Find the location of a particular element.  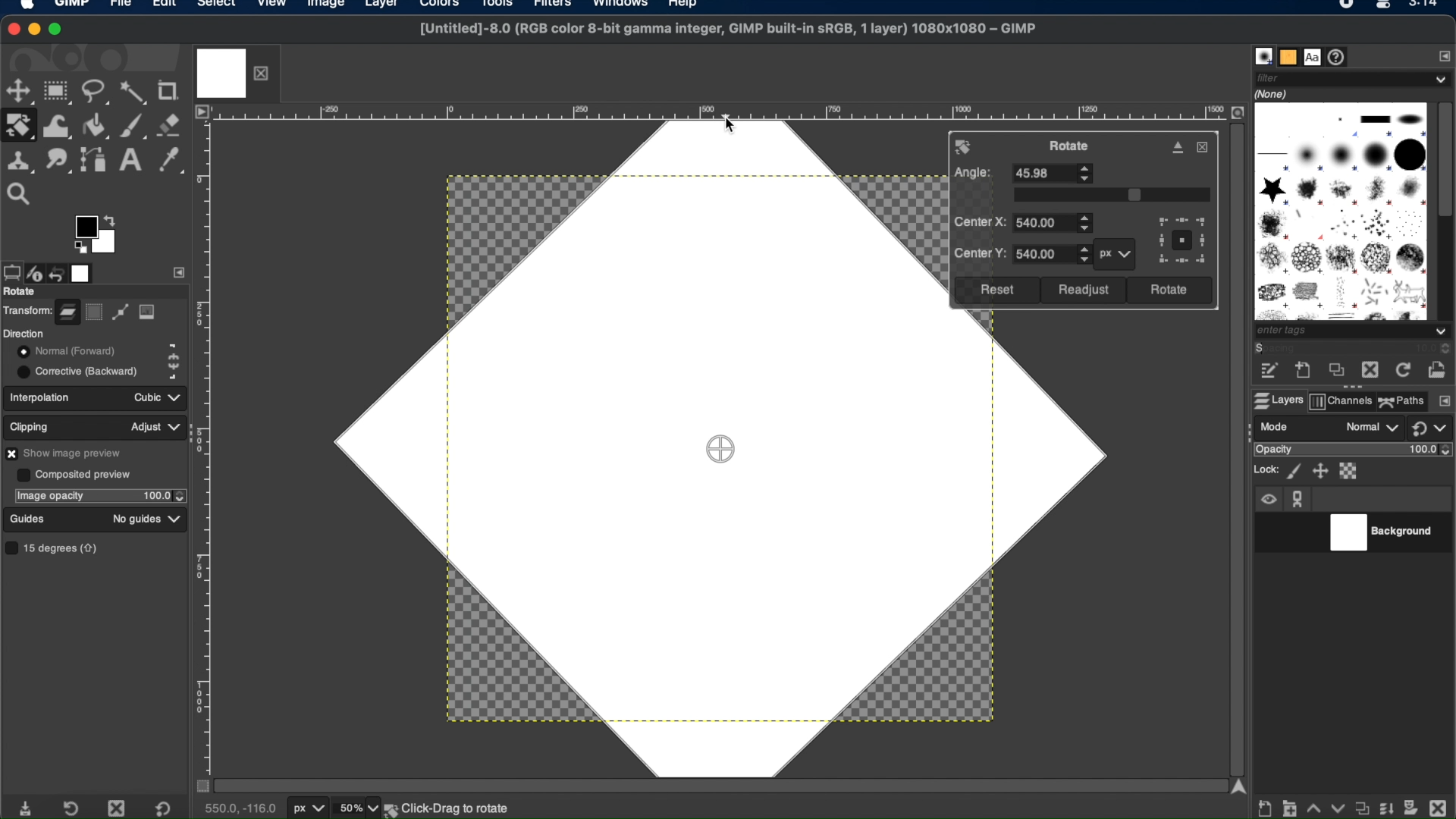

composited preview is located at coordinates (74, 474).